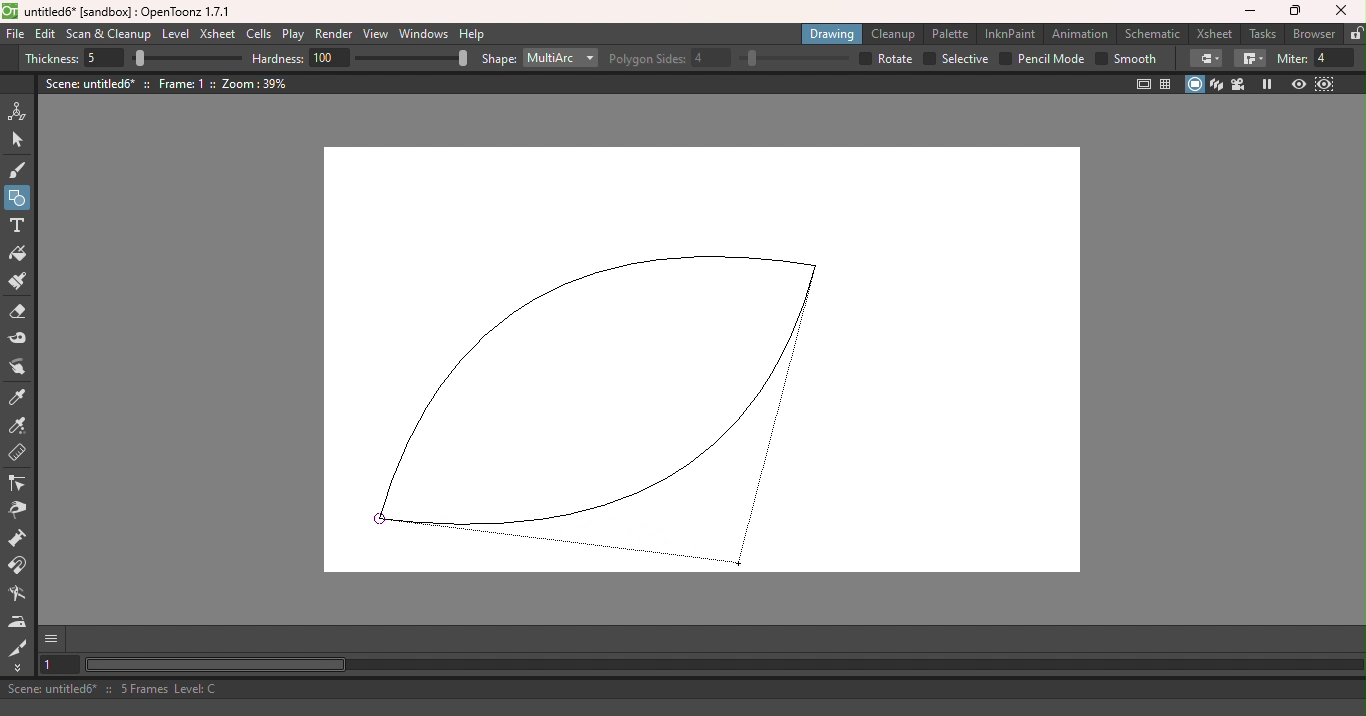  Describe the element at coordinates (19, 282) in the screenshot. I see `Paint brush` at that location.